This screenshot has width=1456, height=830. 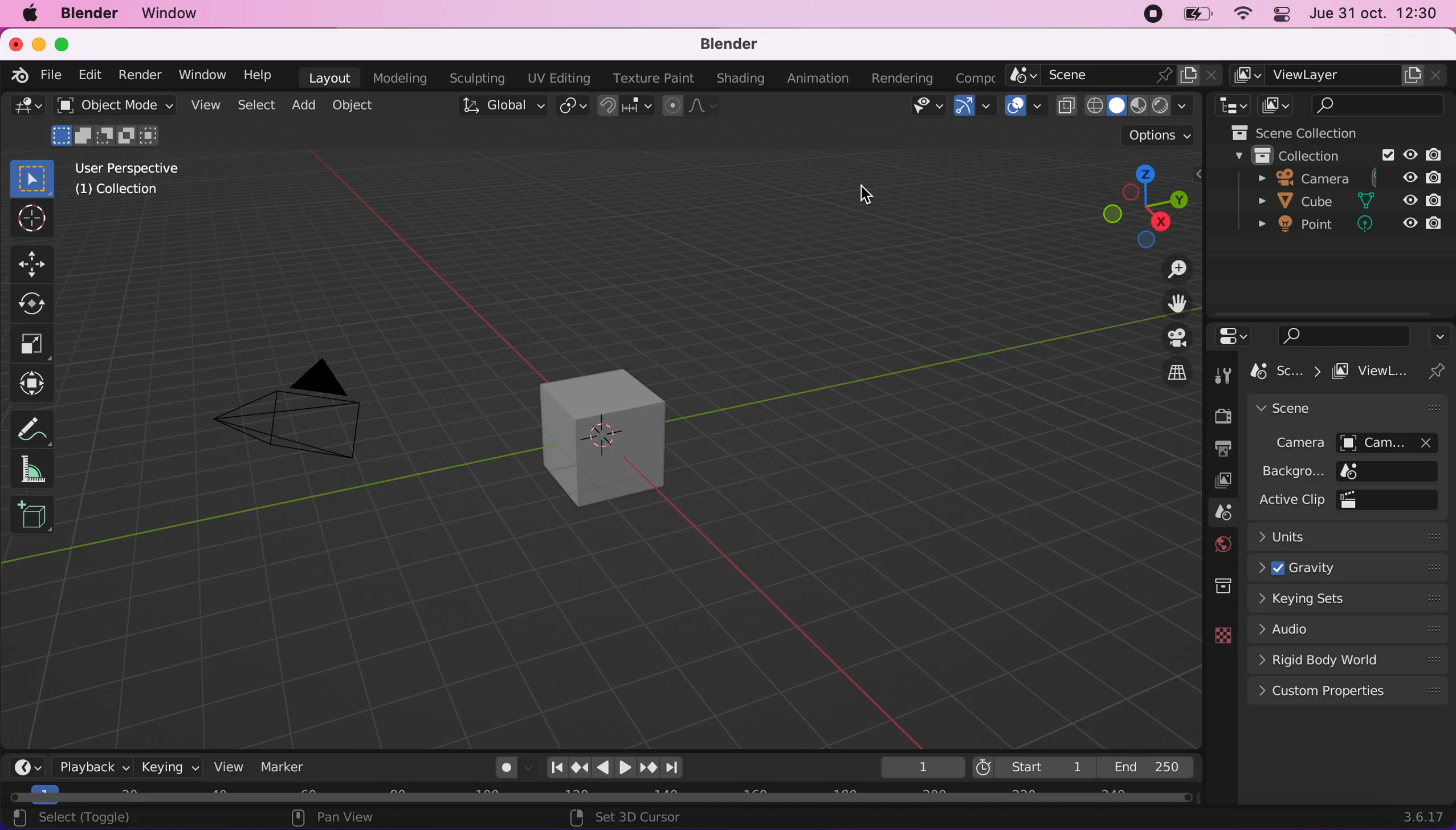 What do you see at coordinates (1379, 105) in the screenshot?
I see `search` at bounding box center [1379, 105].